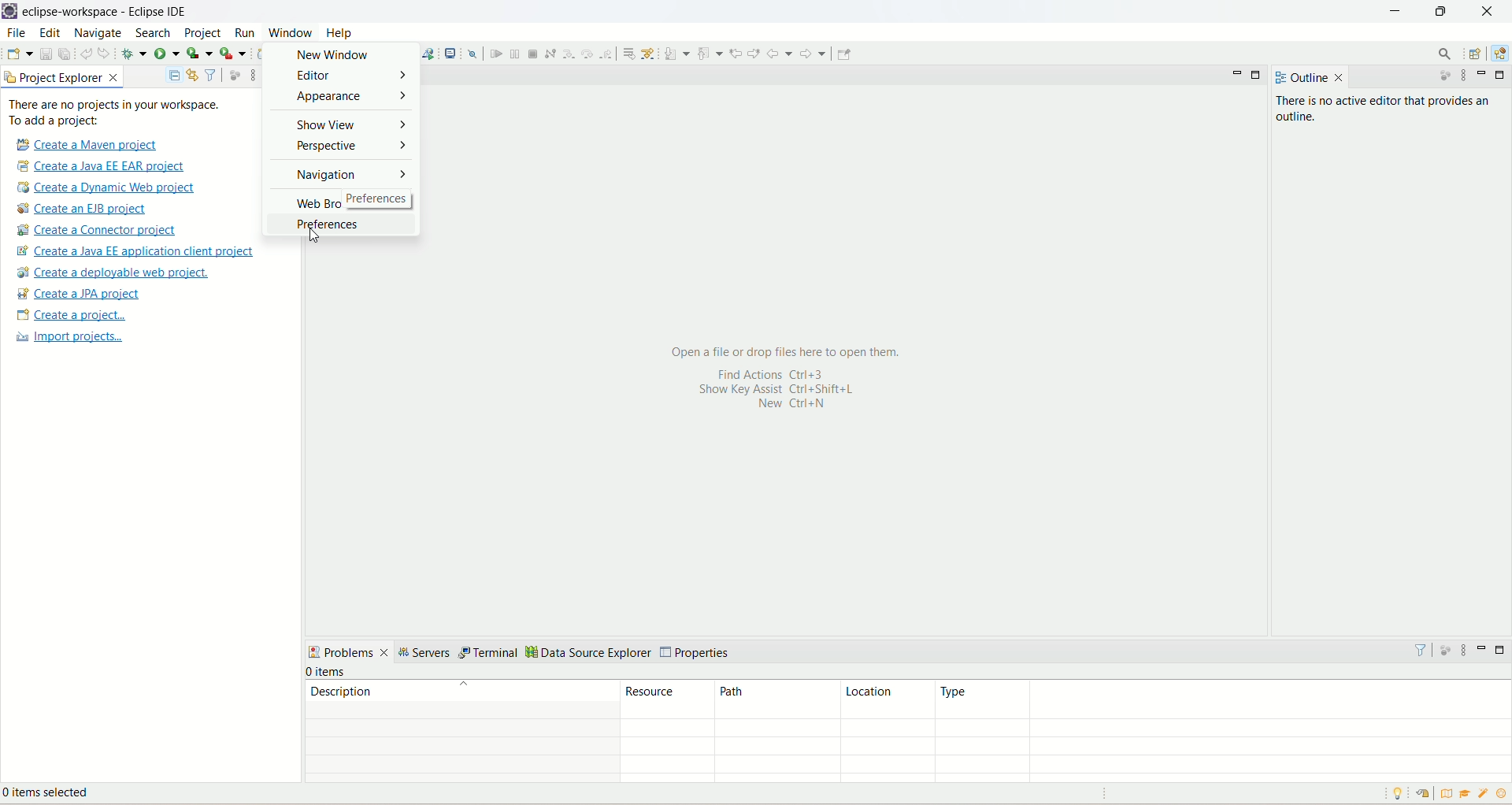  What do you see at coordinates (490, 654) in the screenshot?
I see `terminal` at bounding box center [490, 654].